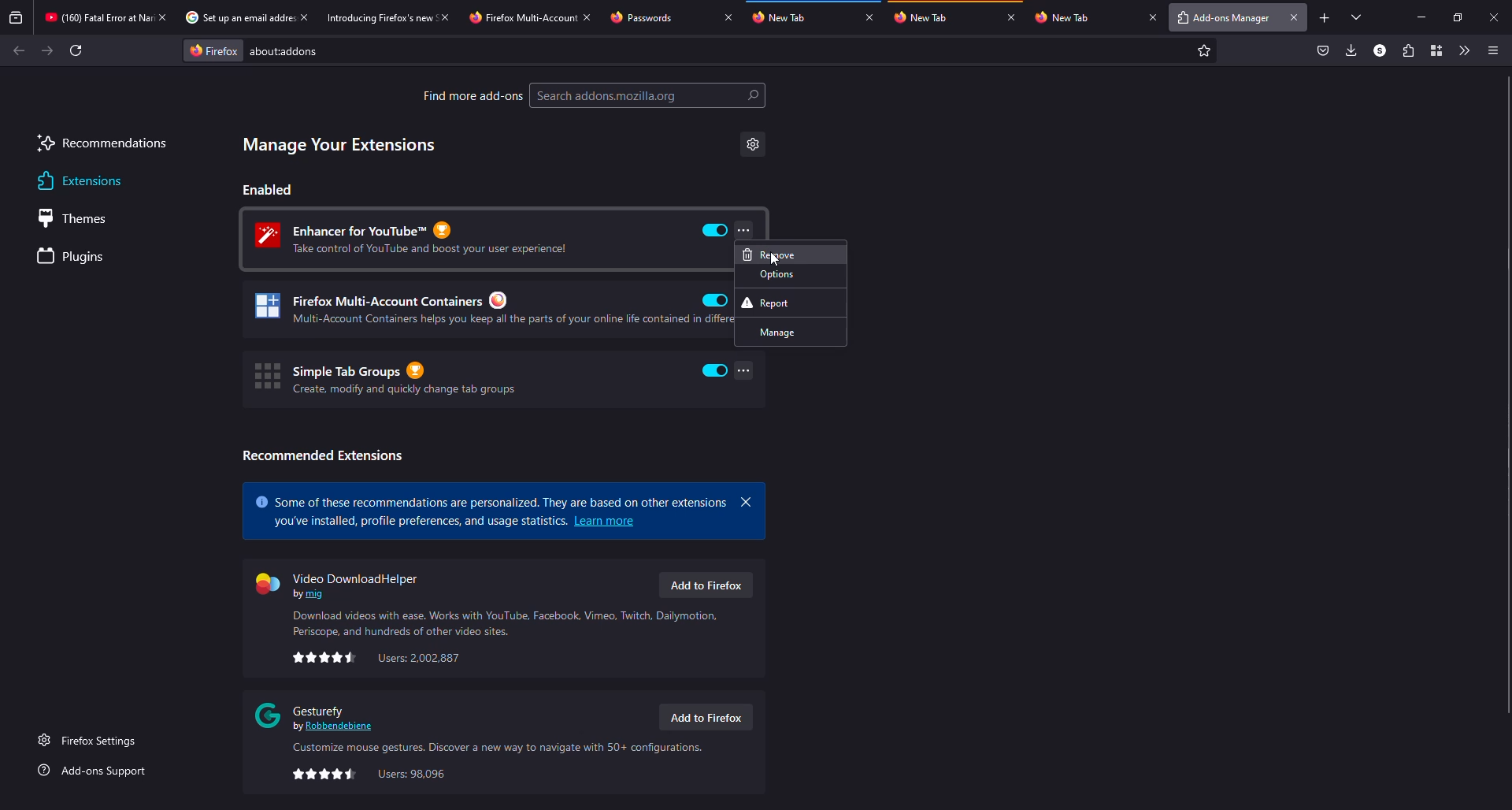 This screenshot has height=810, width=1512. I want to click on addons, so click(290, 51).